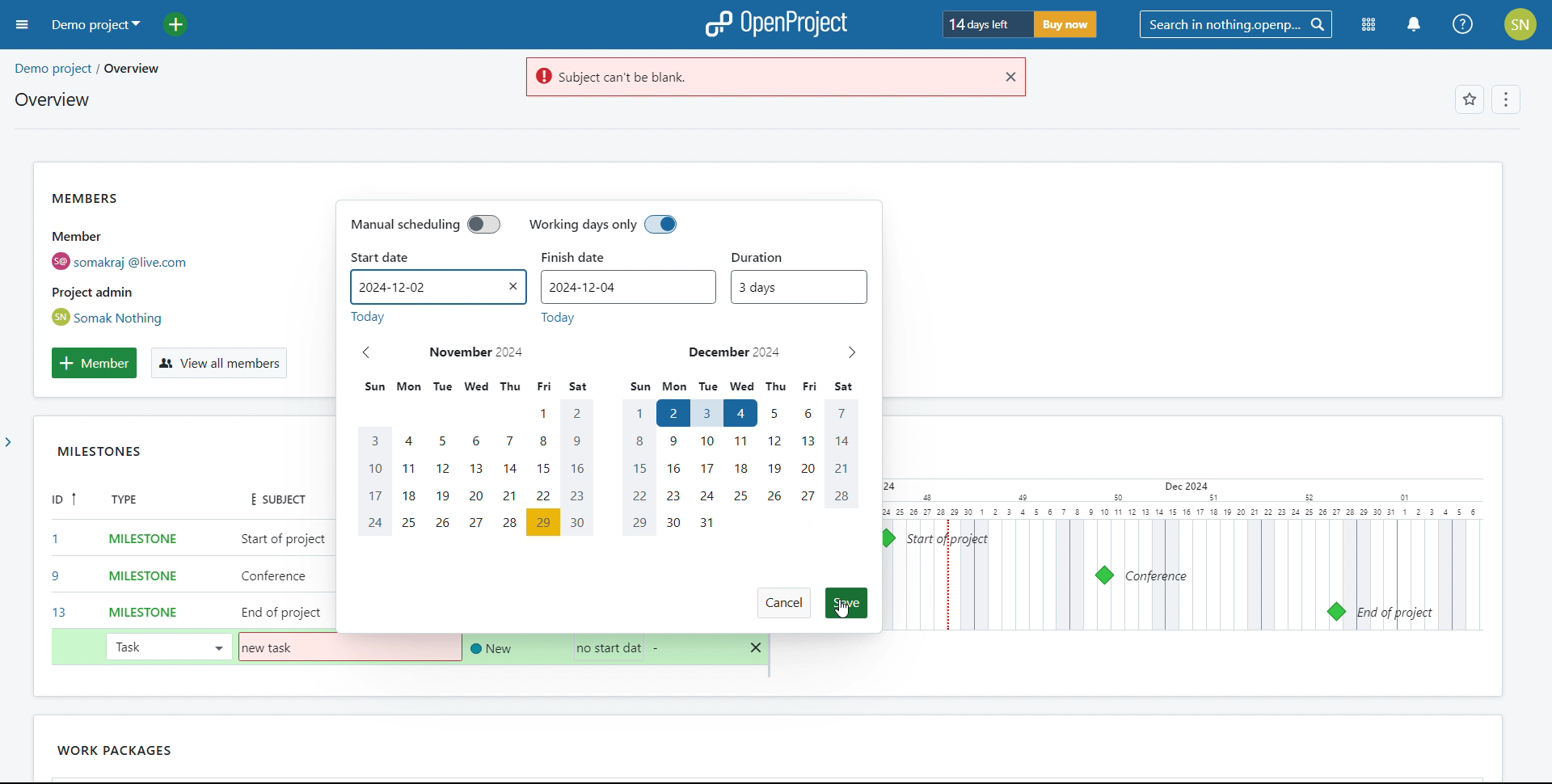 Image resolution: width=1552 pixels, height=784 pixels. Describe the element at coordinates (478, 352) in the screenshot. I see `november 2024` at that location.